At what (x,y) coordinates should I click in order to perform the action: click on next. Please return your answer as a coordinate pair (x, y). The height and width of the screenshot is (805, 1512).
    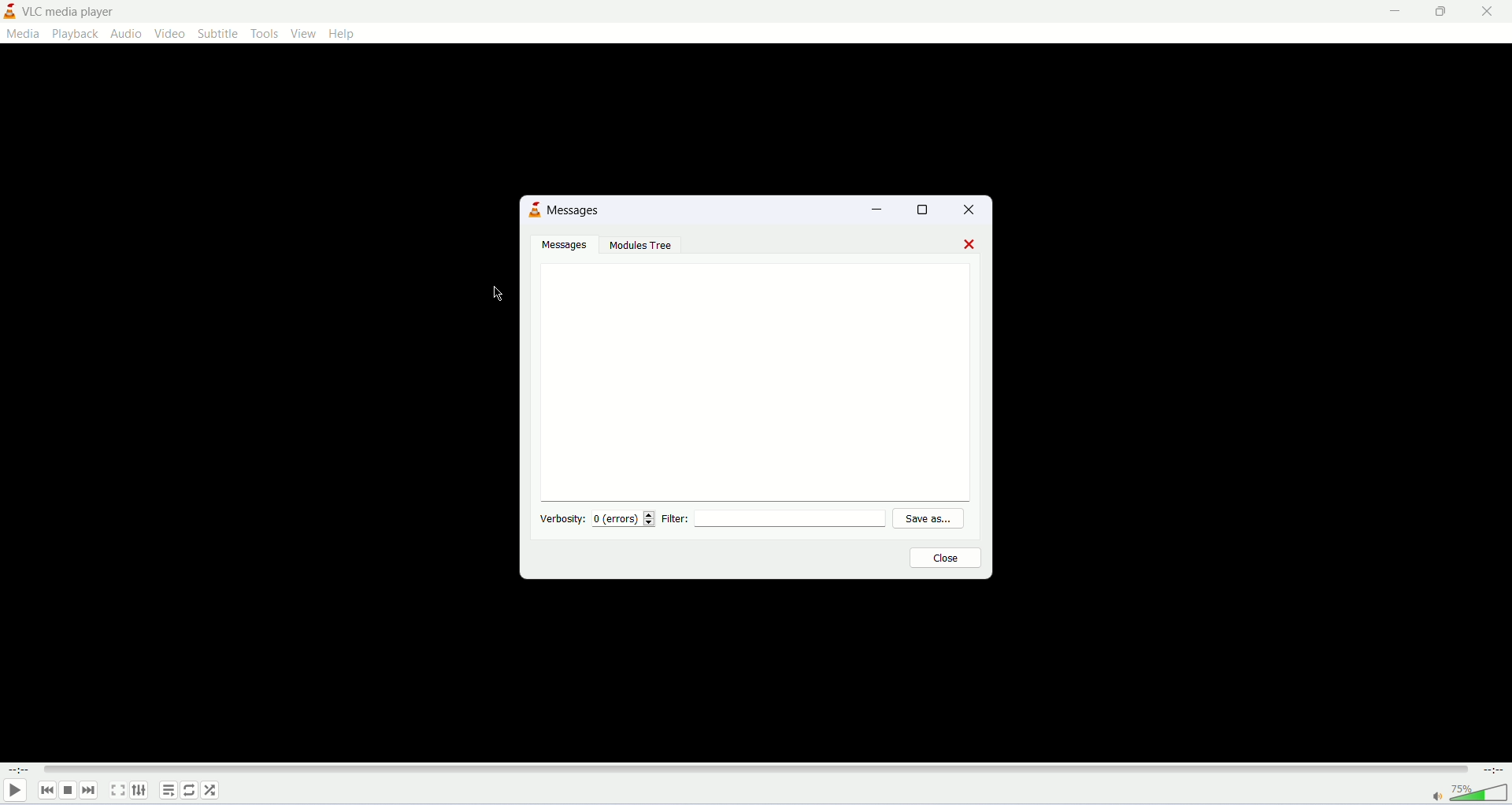
    Looking at the image, I should click on (91, 789).